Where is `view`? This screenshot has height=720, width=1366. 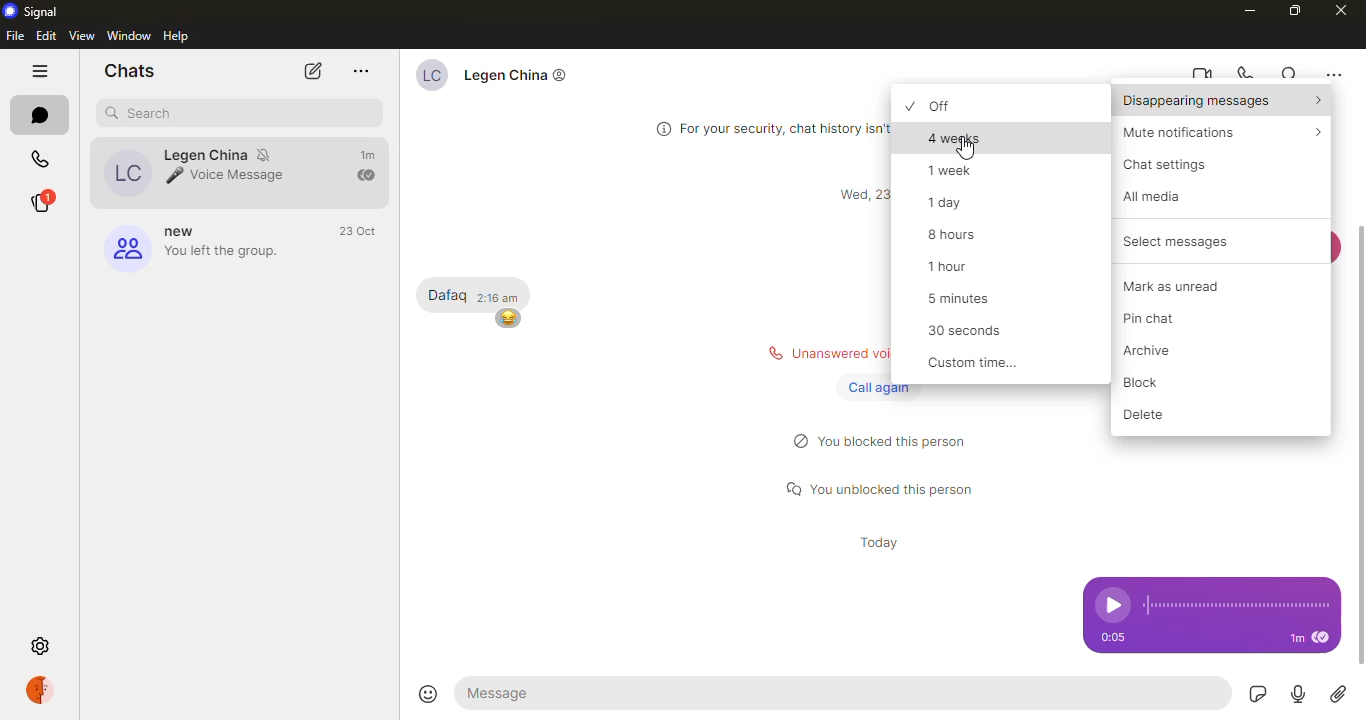
view is located at coordinates (81, 36).